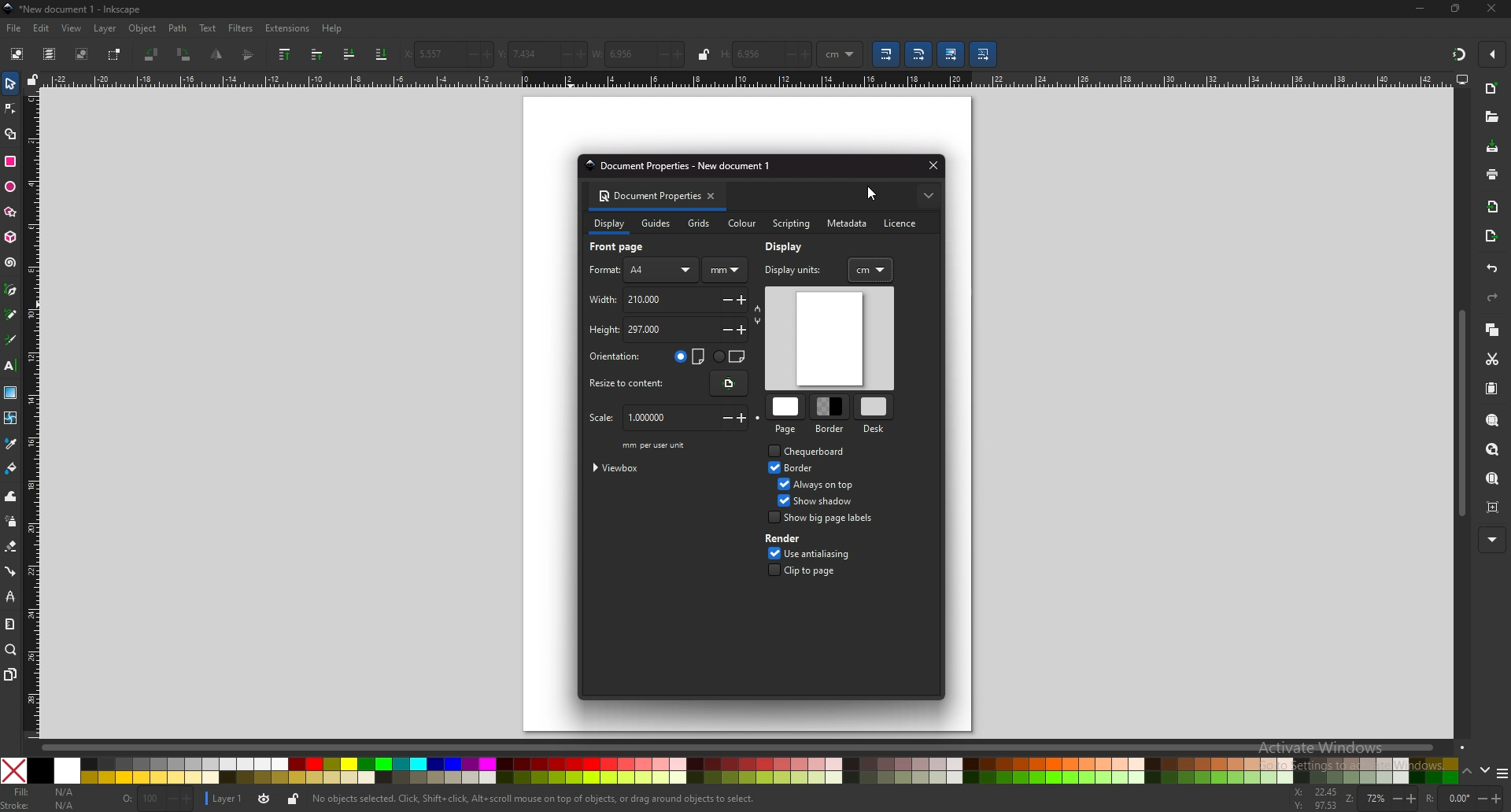  I want to click on mm, so click(830, 54).